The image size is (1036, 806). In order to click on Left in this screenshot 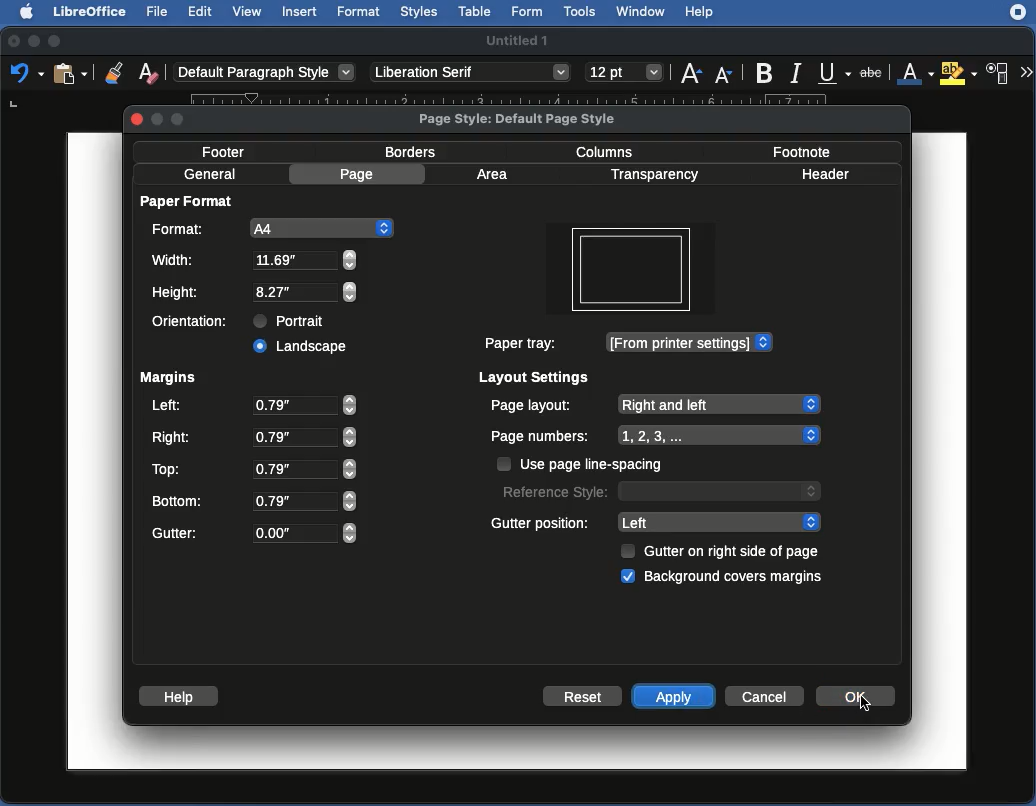, I will do `click(718, 523)`.